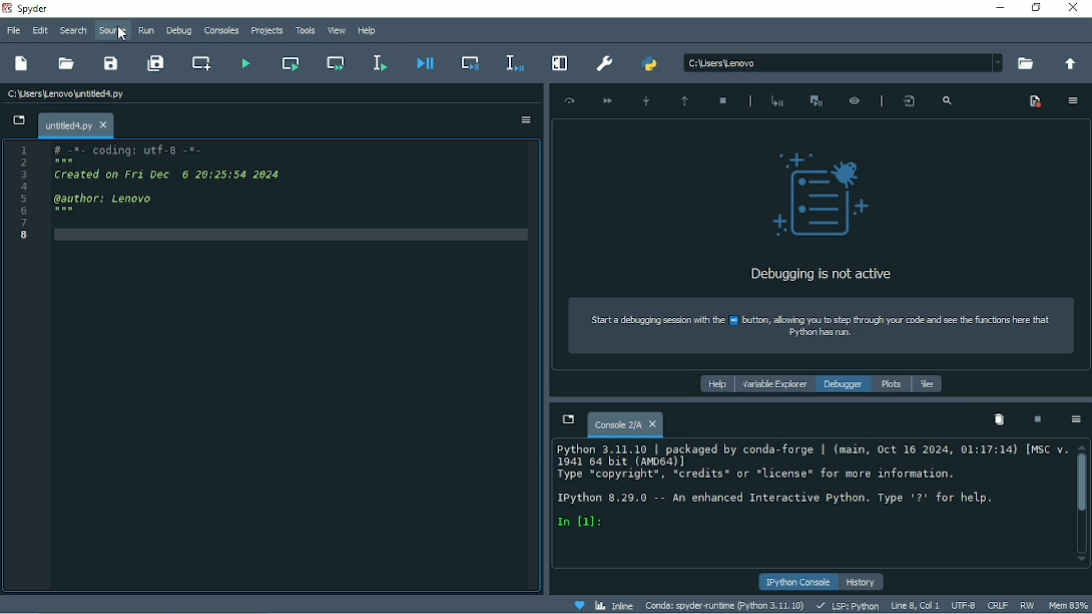 The height and width of the screenshot is (614, 1092). What do you see at coordinates (560, 64) in the screenshot?
I see `Maximize current pane` at bounding box center [560, 64].